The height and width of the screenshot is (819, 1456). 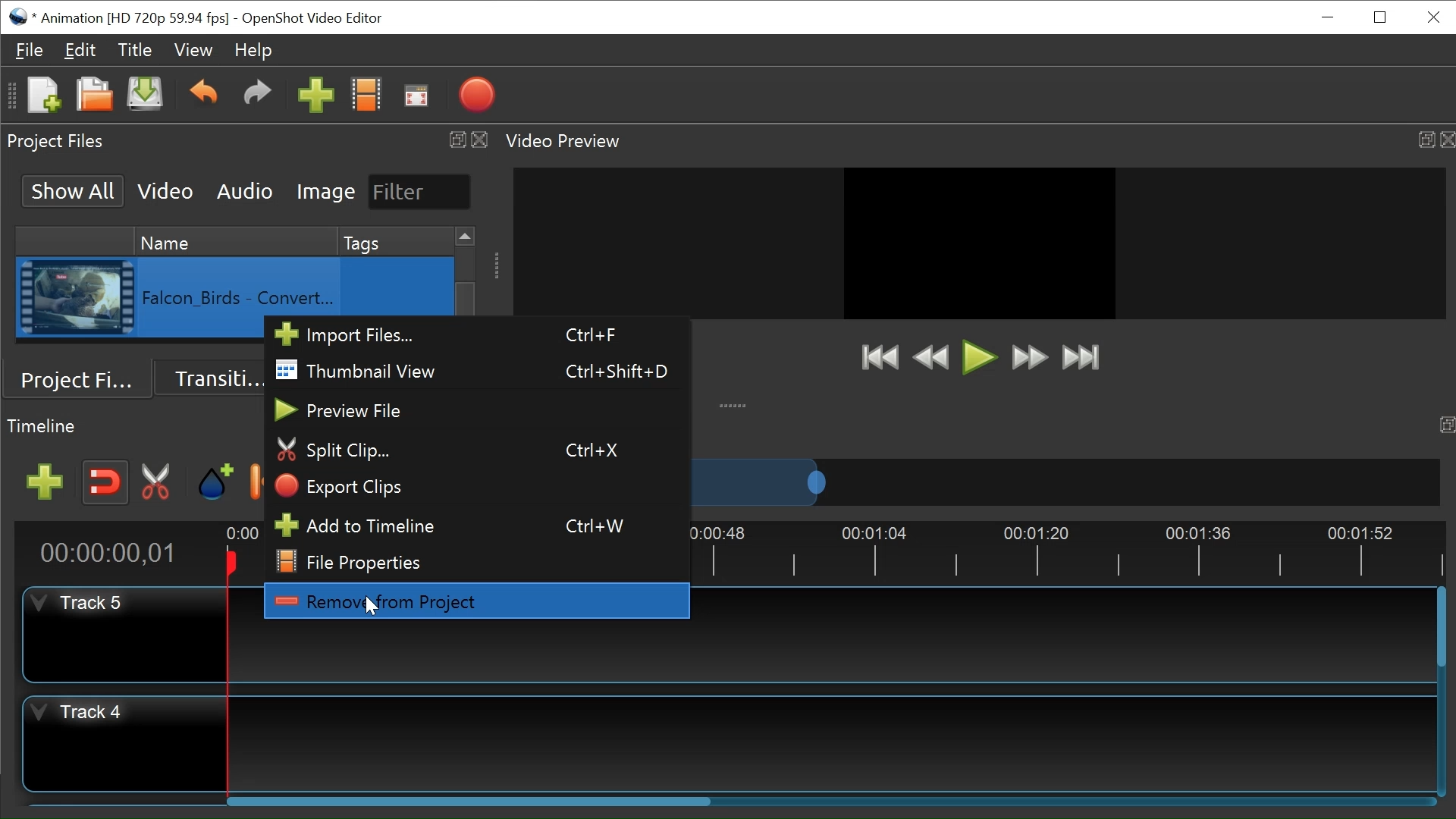 I want to click on Audio, so click(x=246, y=192).